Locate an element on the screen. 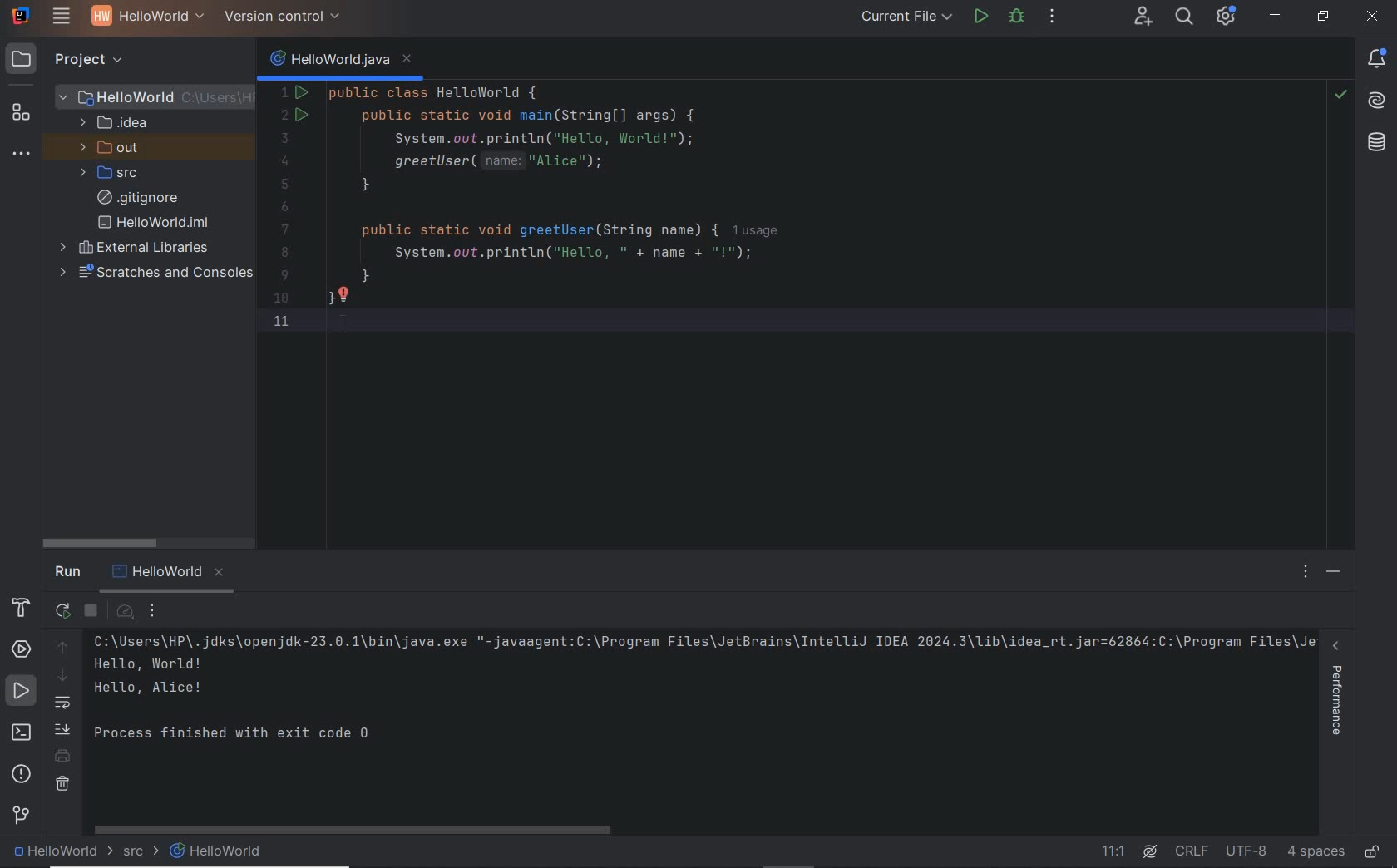  Scroll Bar is located at coordinates (287, 590).